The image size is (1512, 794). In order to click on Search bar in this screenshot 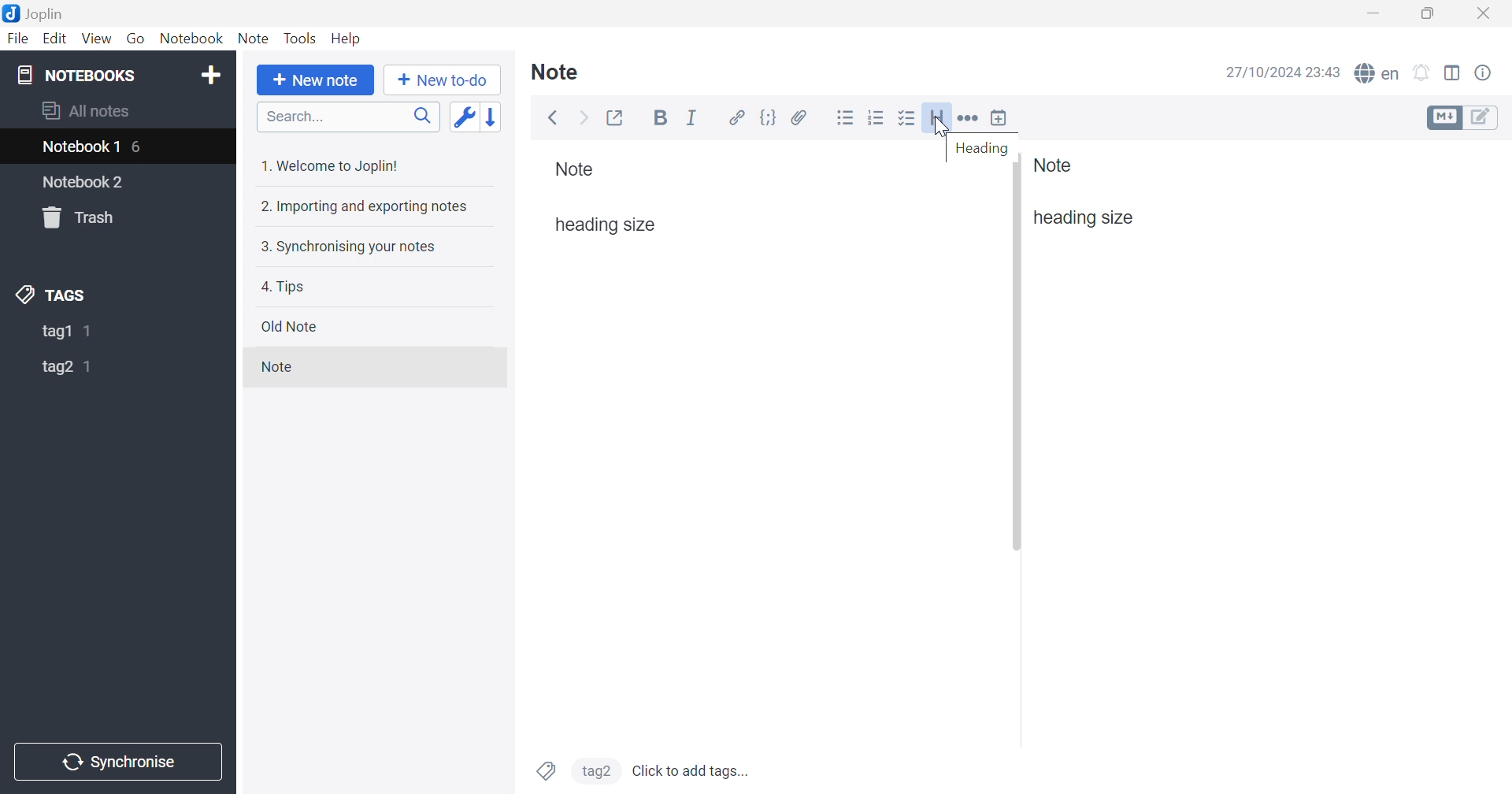, I will do `click(348, 117)`.